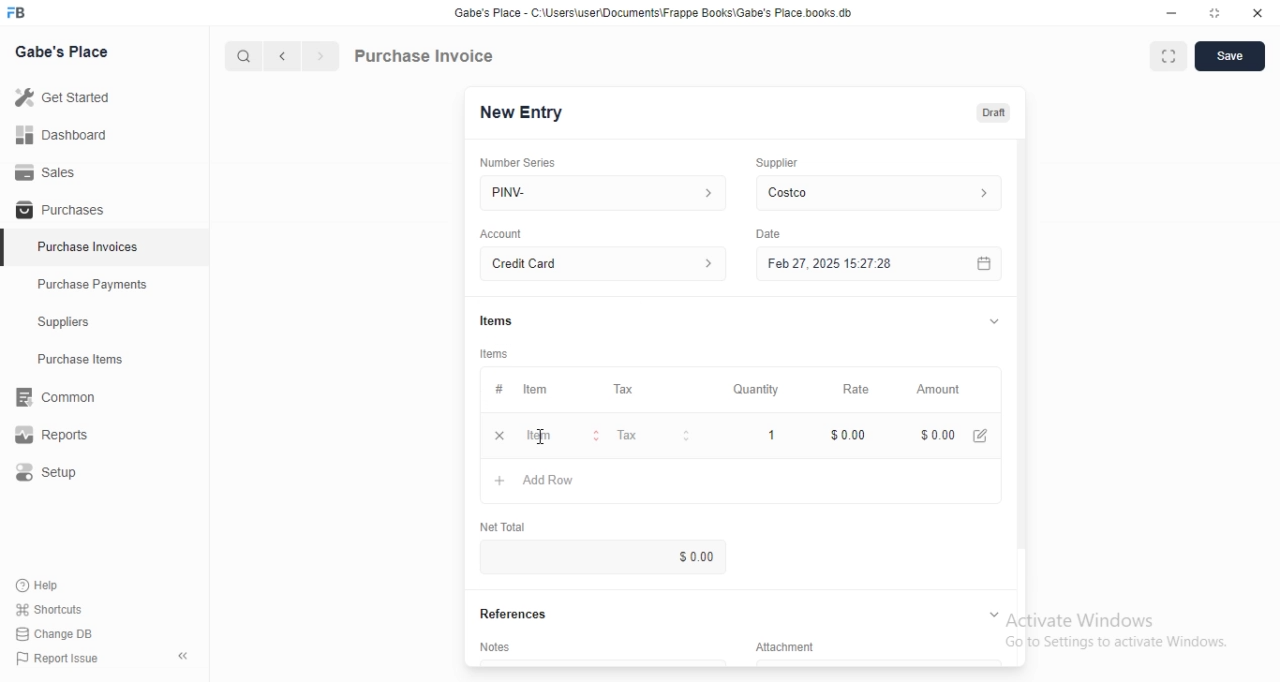  What do you see at coordinates (425, 55) in the screenshot?
I see `Purchase Invoice` at bounding box center [425, 55].